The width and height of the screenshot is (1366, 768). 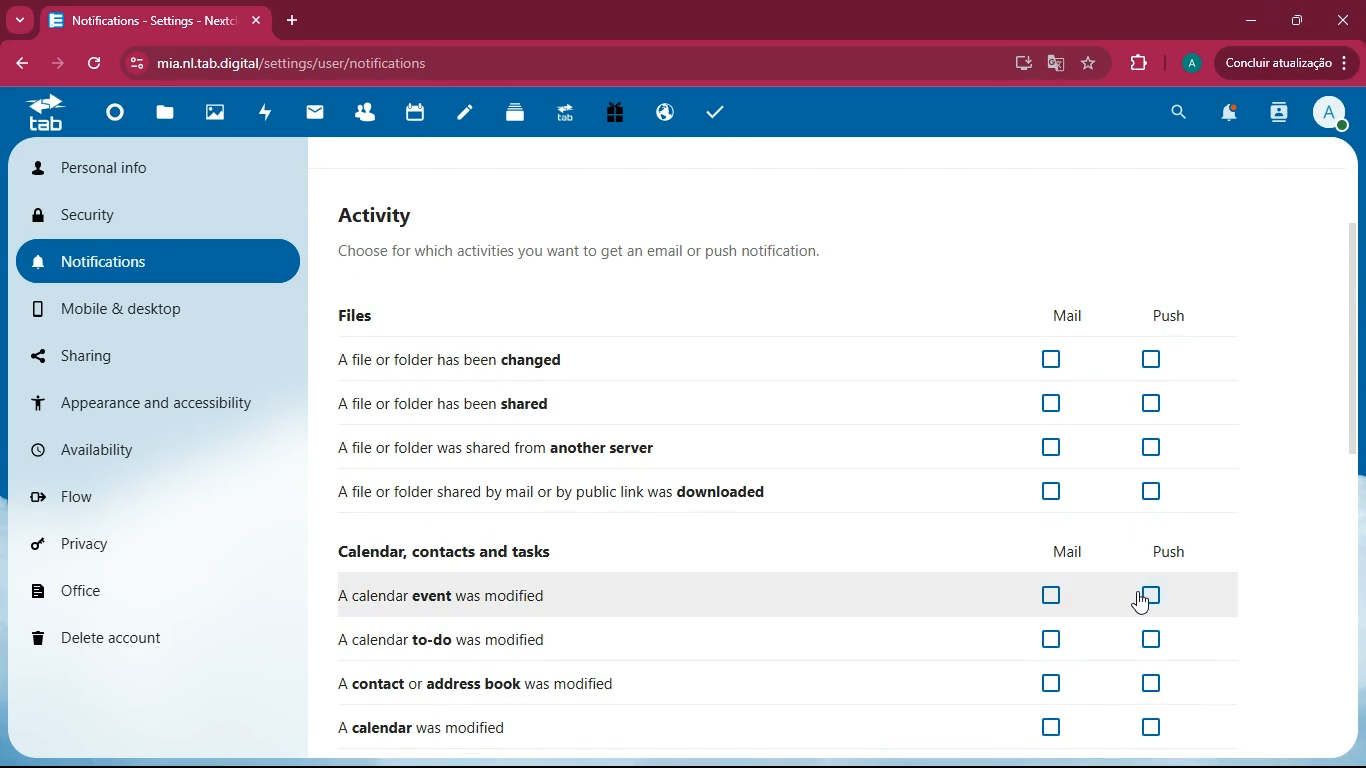 I want to click on Calendar, contacts and tasks, so click(x=441, y=552).